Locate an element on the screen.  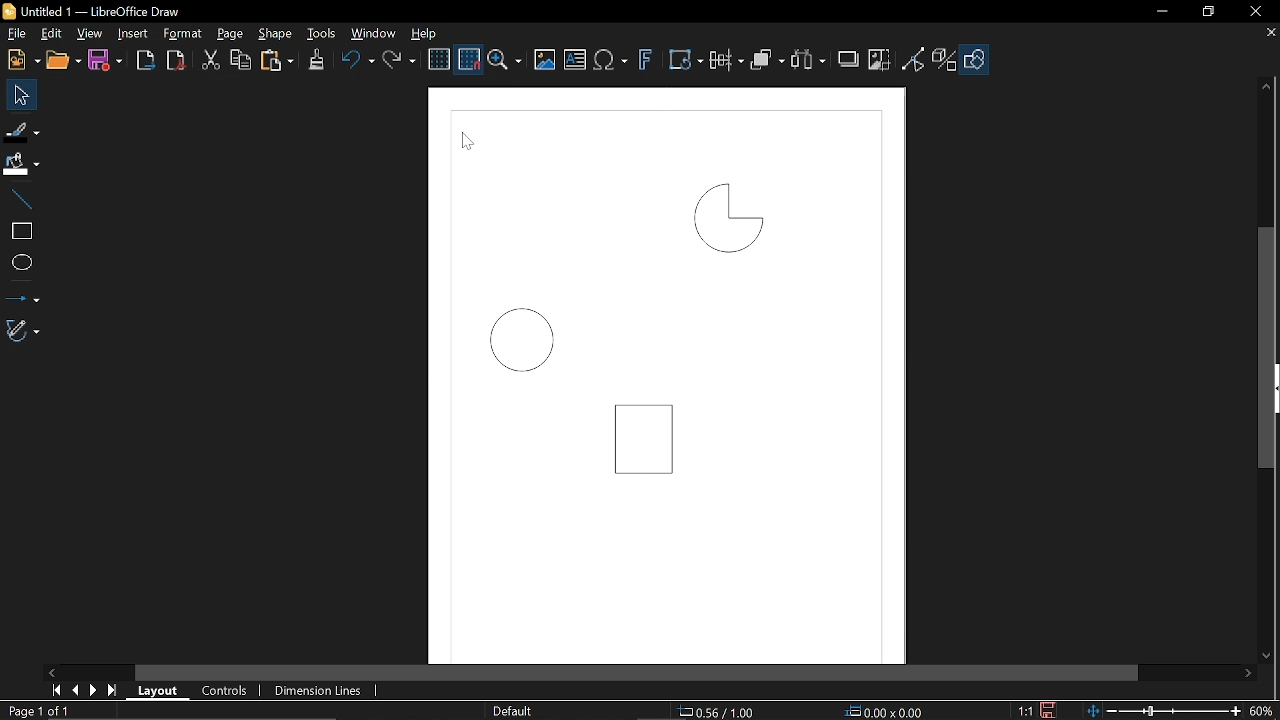
Export pdf is located at coordinates (174, 61).